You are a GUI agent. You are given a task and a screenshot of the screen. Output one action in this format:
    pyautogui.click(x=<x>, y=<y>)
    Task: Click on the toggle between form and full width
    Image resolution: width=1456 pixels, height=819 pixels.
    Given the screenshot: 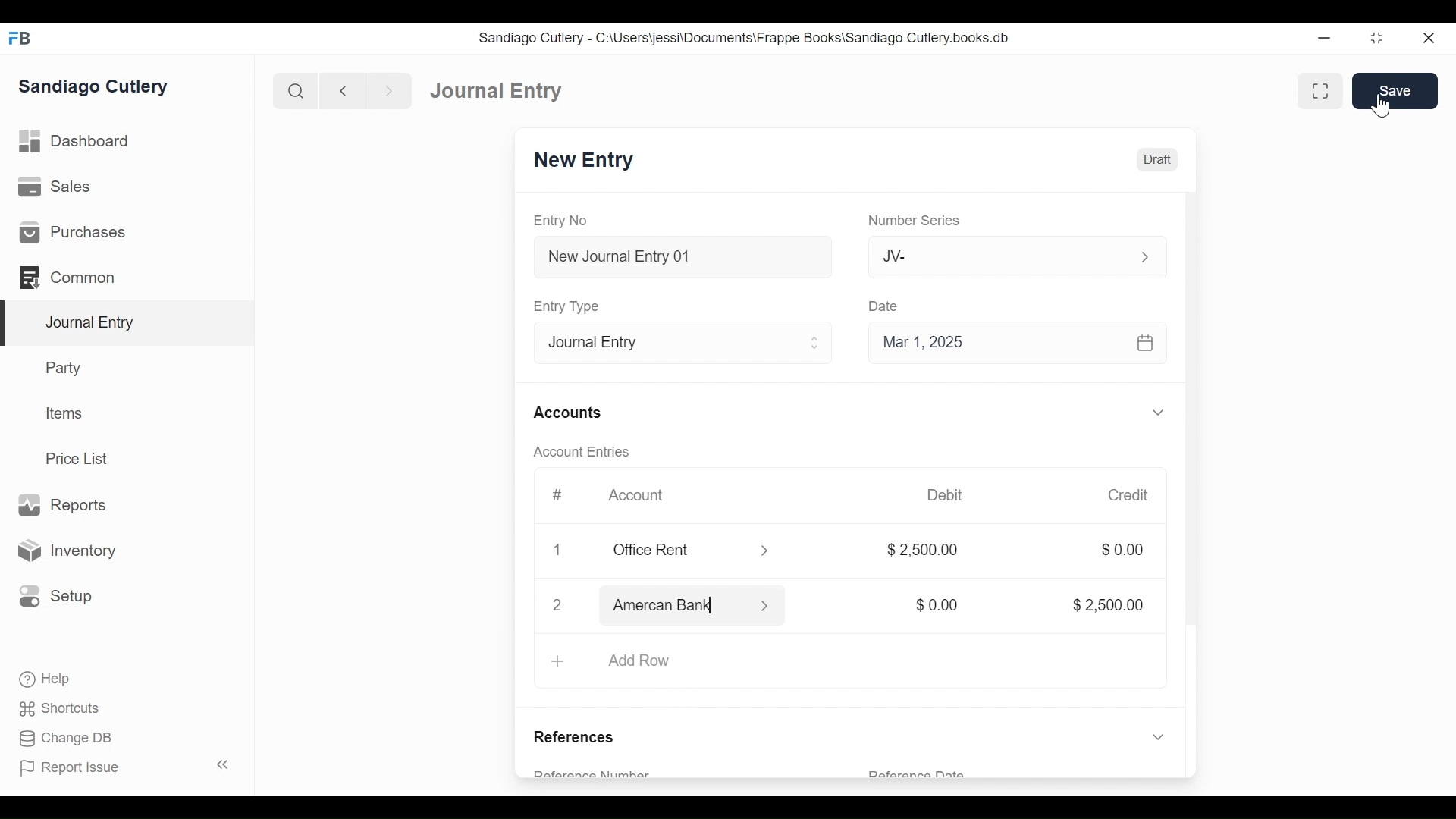 What is the action you would take?
    pyautogui.click(x=1323, y=92)
    